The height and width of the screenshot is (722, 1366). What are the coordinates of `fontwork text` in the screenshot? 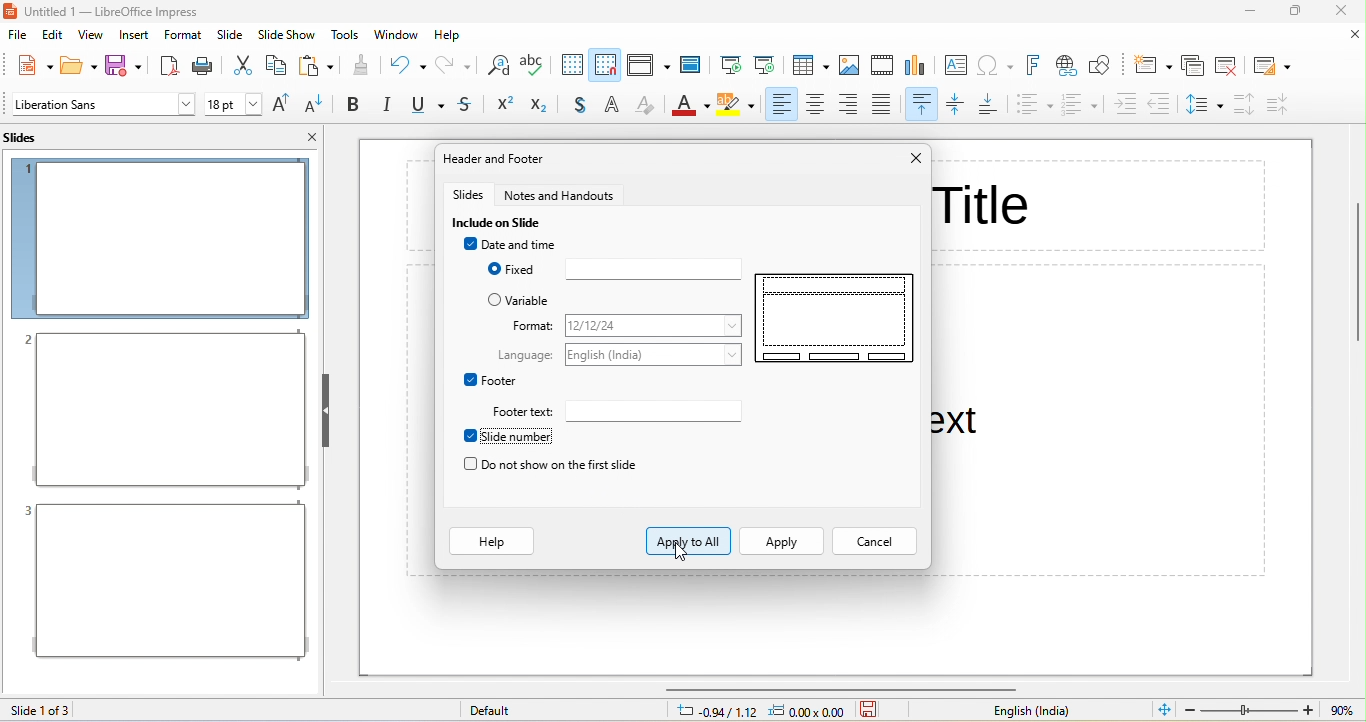 It's located at (1037, 65).